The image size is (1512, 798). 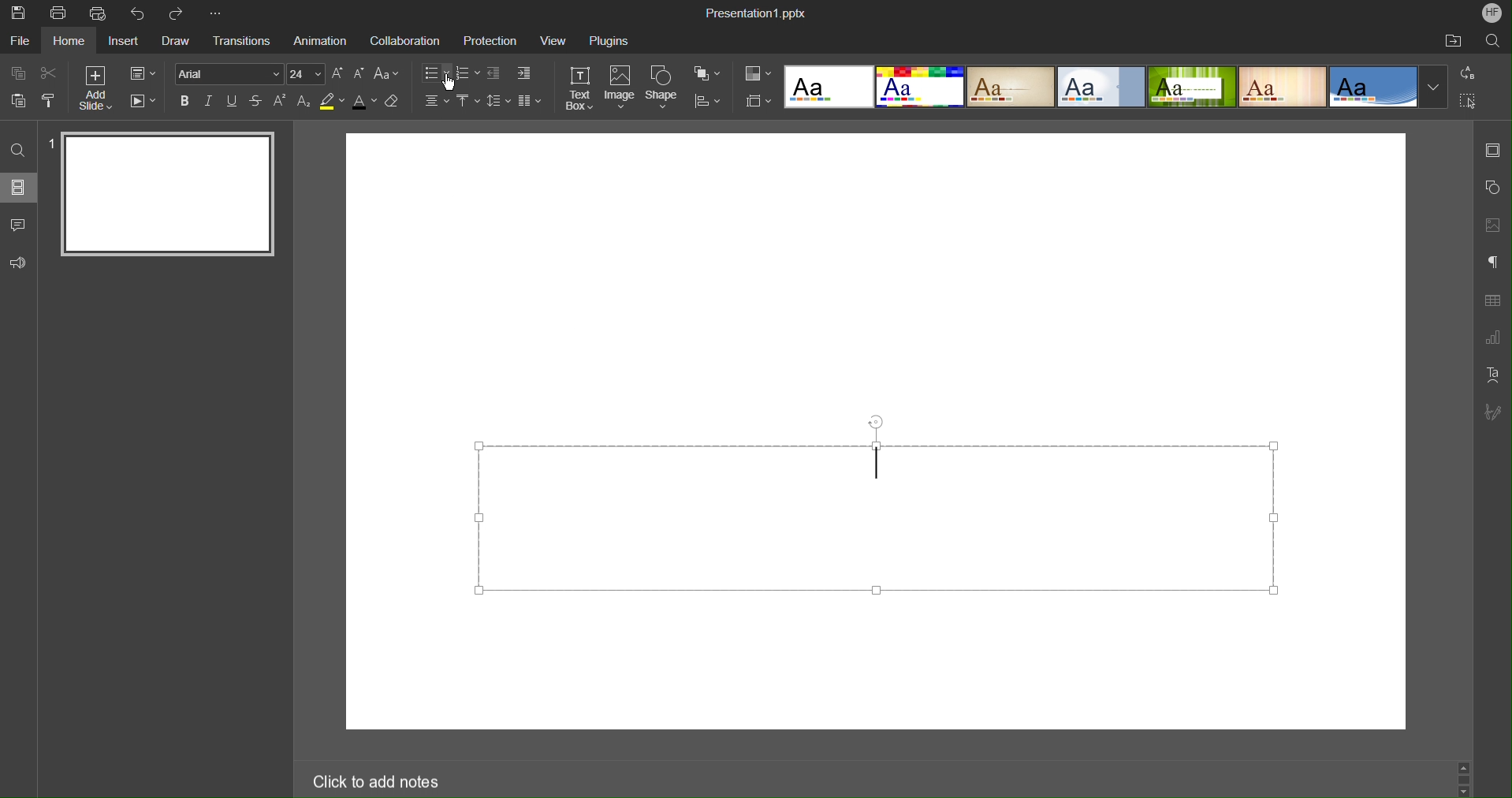 What do you see at coordinates (385, 74) in the screenshot?
I see `Change Case` at bounding box center [385, 74].